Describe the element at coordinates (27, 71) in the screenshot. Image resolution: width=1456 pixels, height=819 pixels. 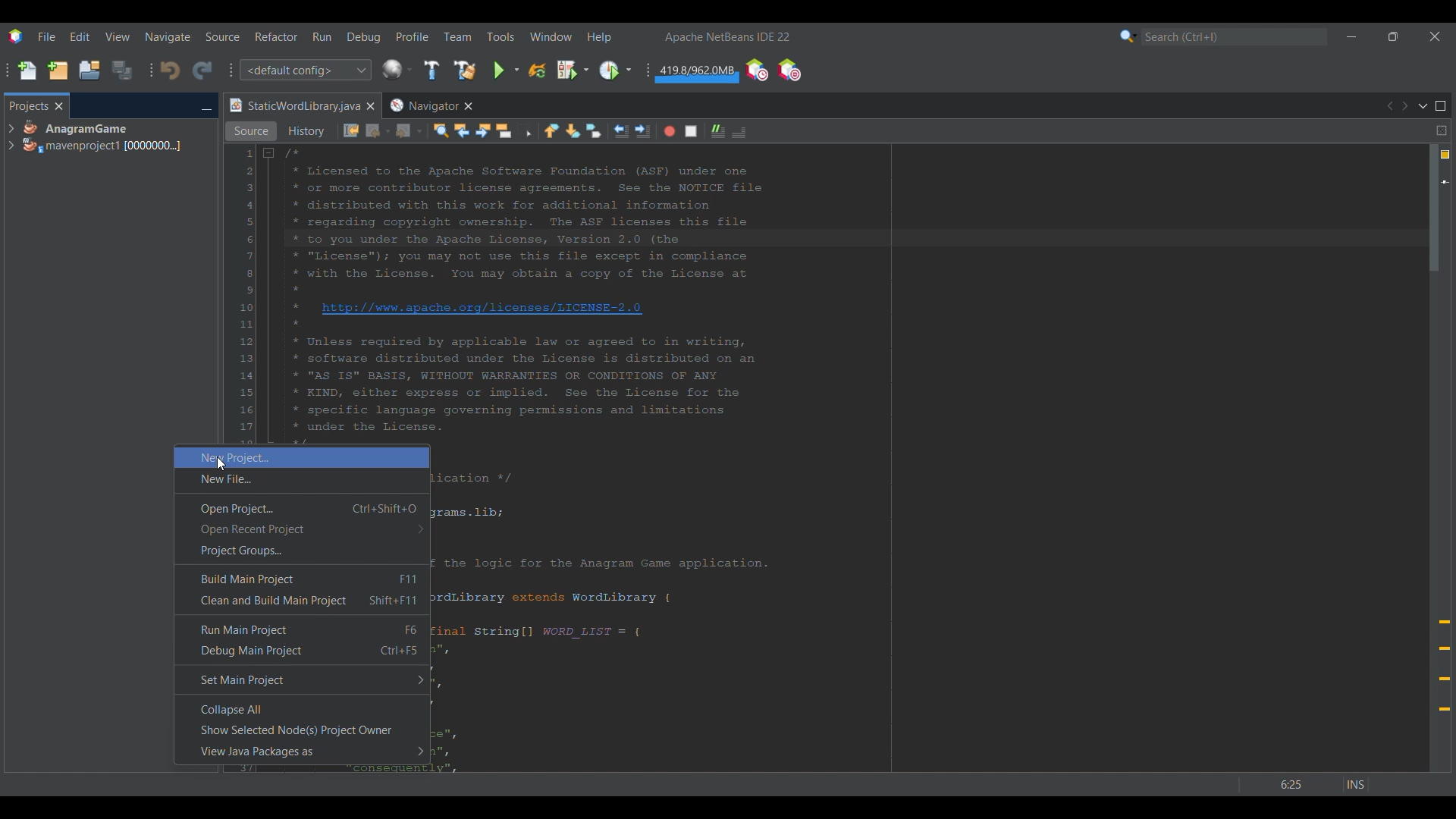
I see `New file` at that location.